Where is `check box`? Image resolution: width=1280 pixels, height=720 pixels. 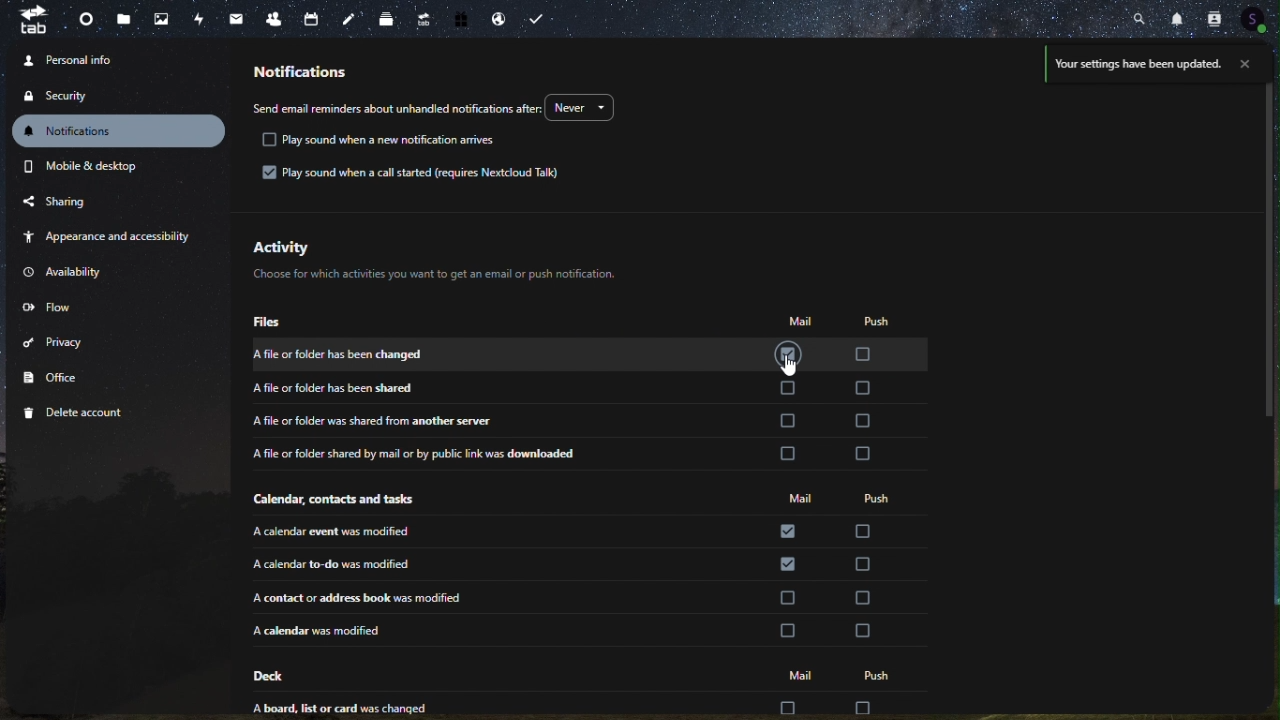
check box is located at coordinates (863, 354).